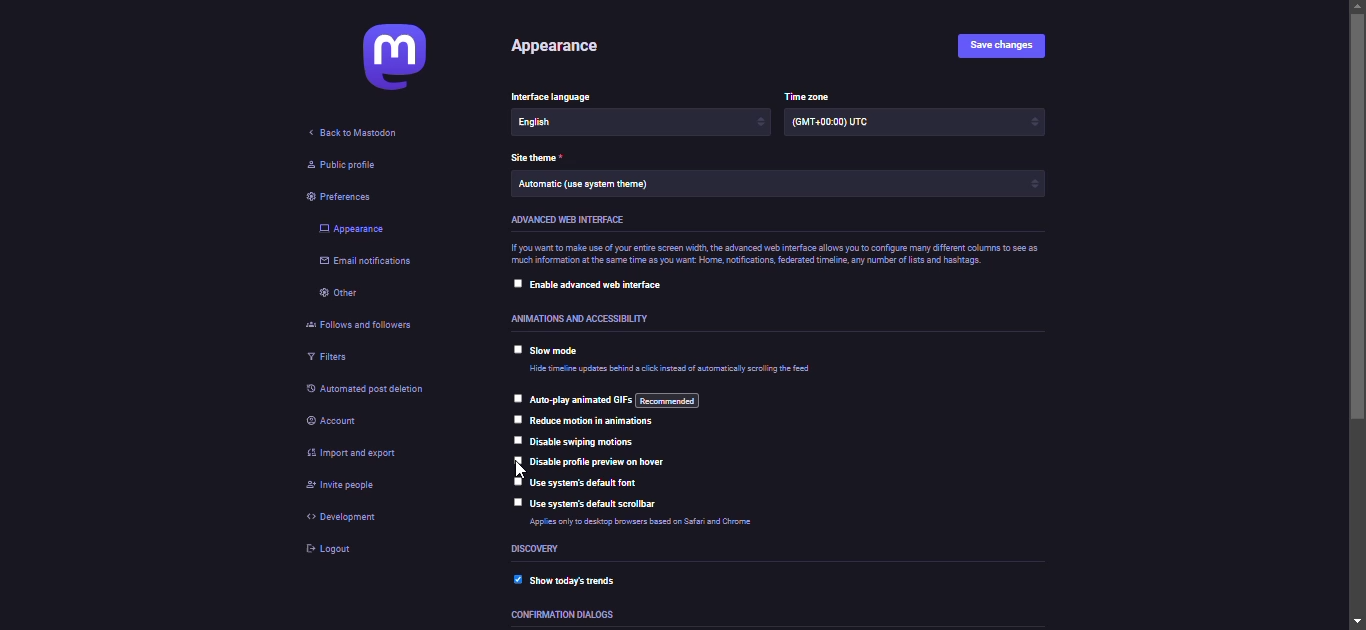 Image resolution: width=1366 pixels, height=630 pixels. Describe the element at coordinates (551, 46) in the screenshot. I see `appearance` at that location.